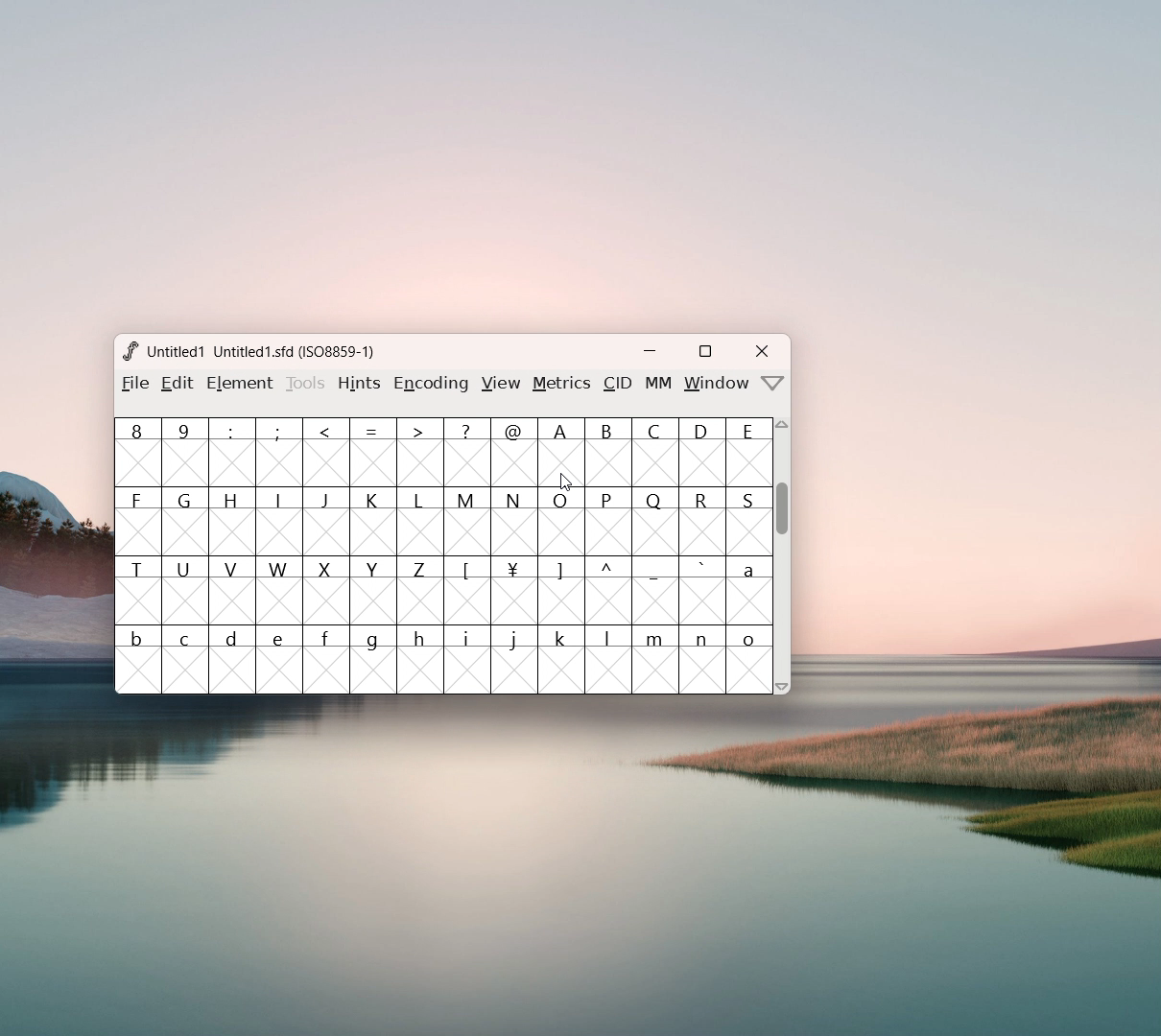 This screenshot has width=1161, height=1036. Describe the element at coordinates (562, 521) in the screenshot. I see `O` at that location.